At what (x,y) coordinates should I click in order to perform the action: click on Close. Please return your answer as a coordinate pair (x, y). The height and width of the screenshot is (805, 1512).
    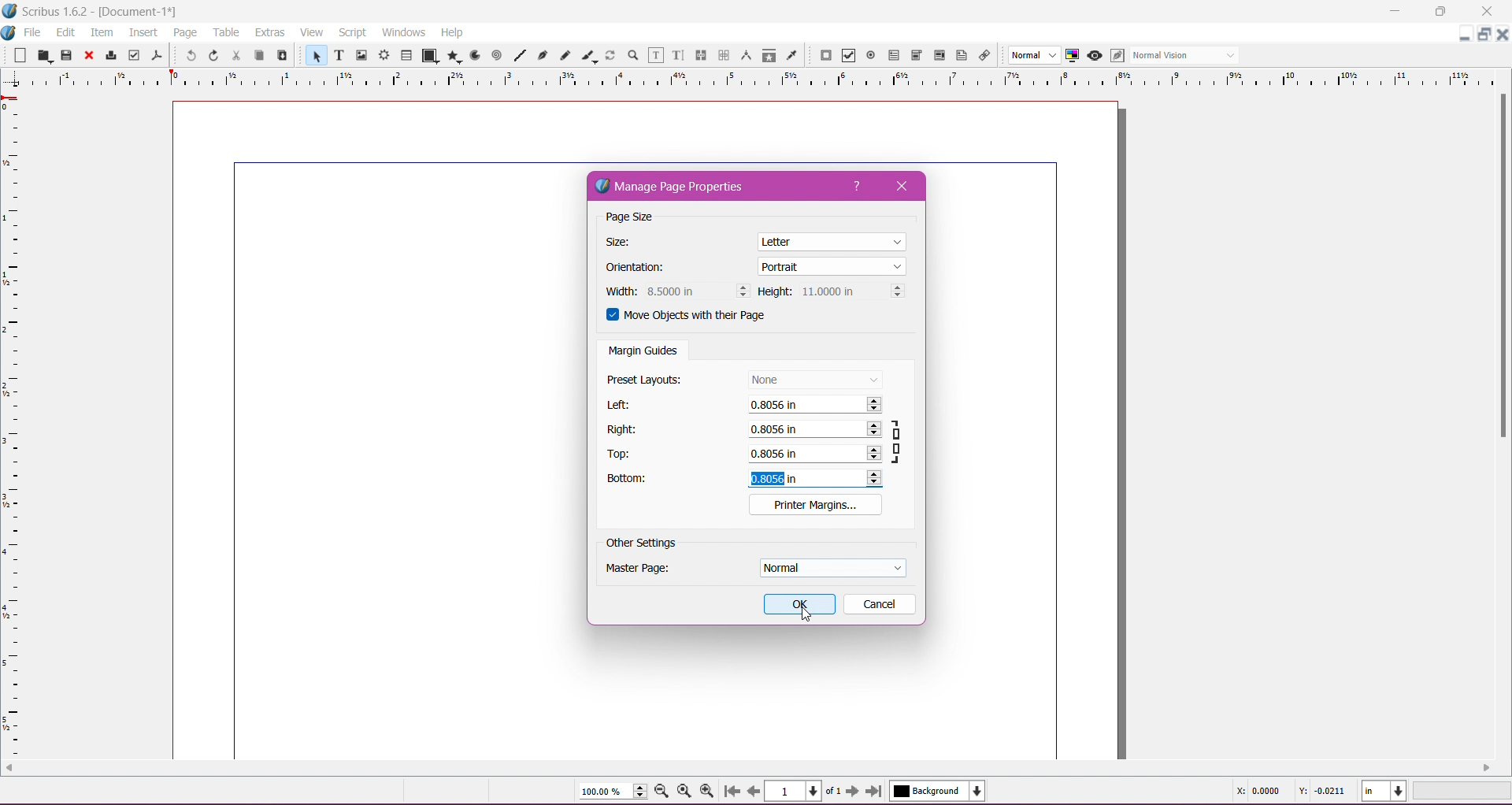
    Looking at the image, I should click on (907, 186).